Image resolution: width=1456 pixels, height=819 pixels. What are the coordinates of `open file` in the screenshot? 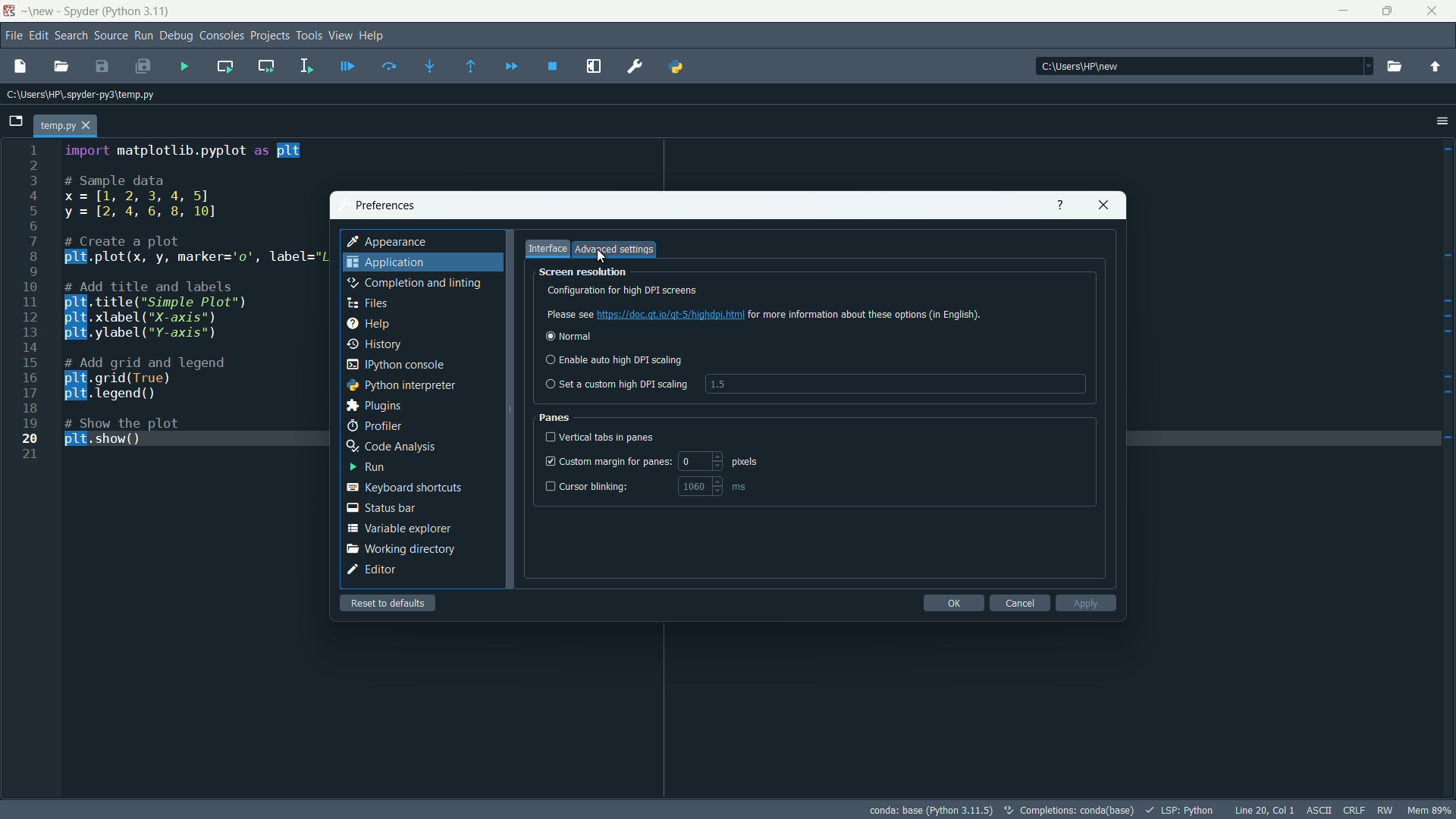 It's located at (62, 67).